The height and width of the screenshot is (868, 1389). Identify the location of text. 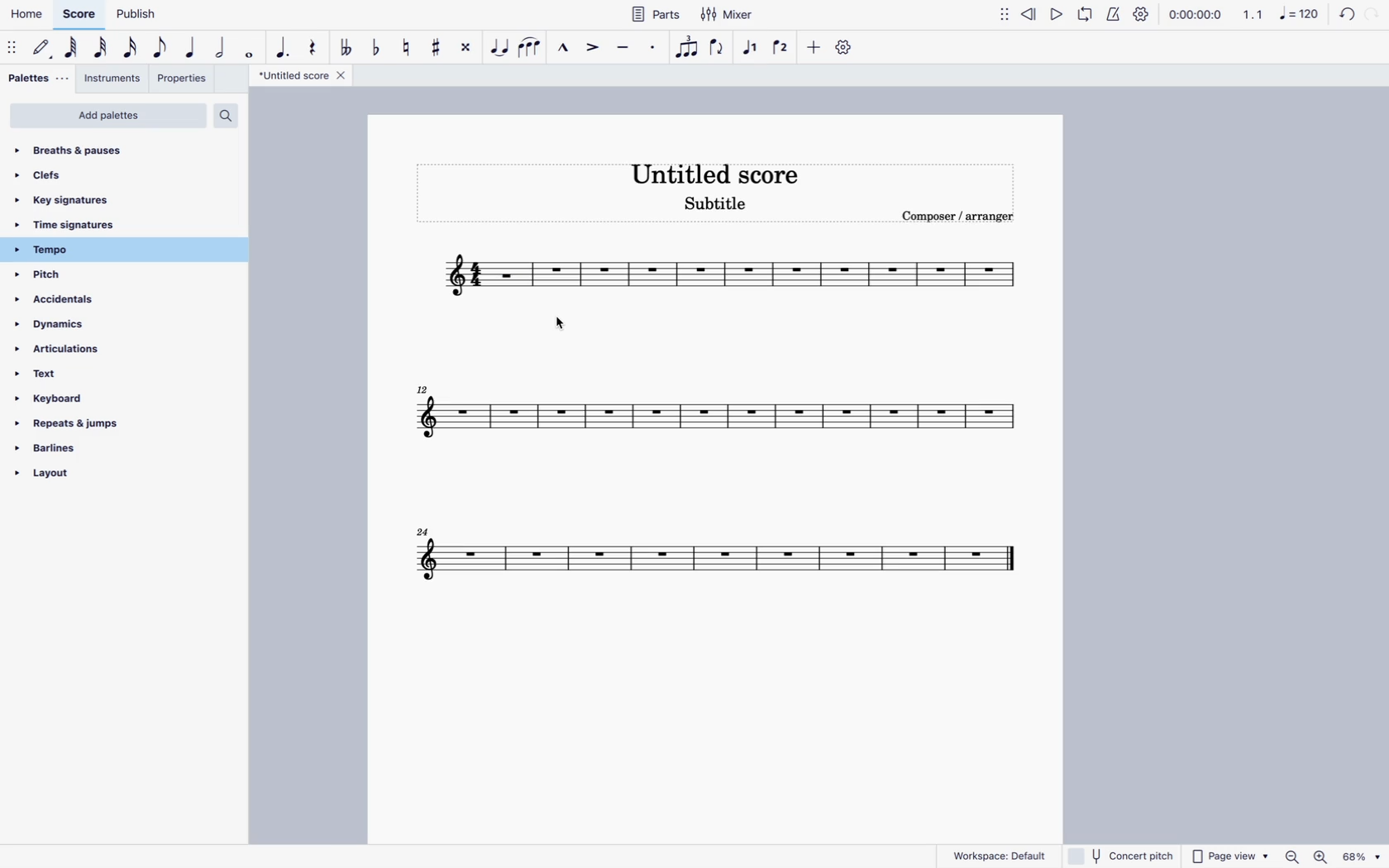
(83, 379).